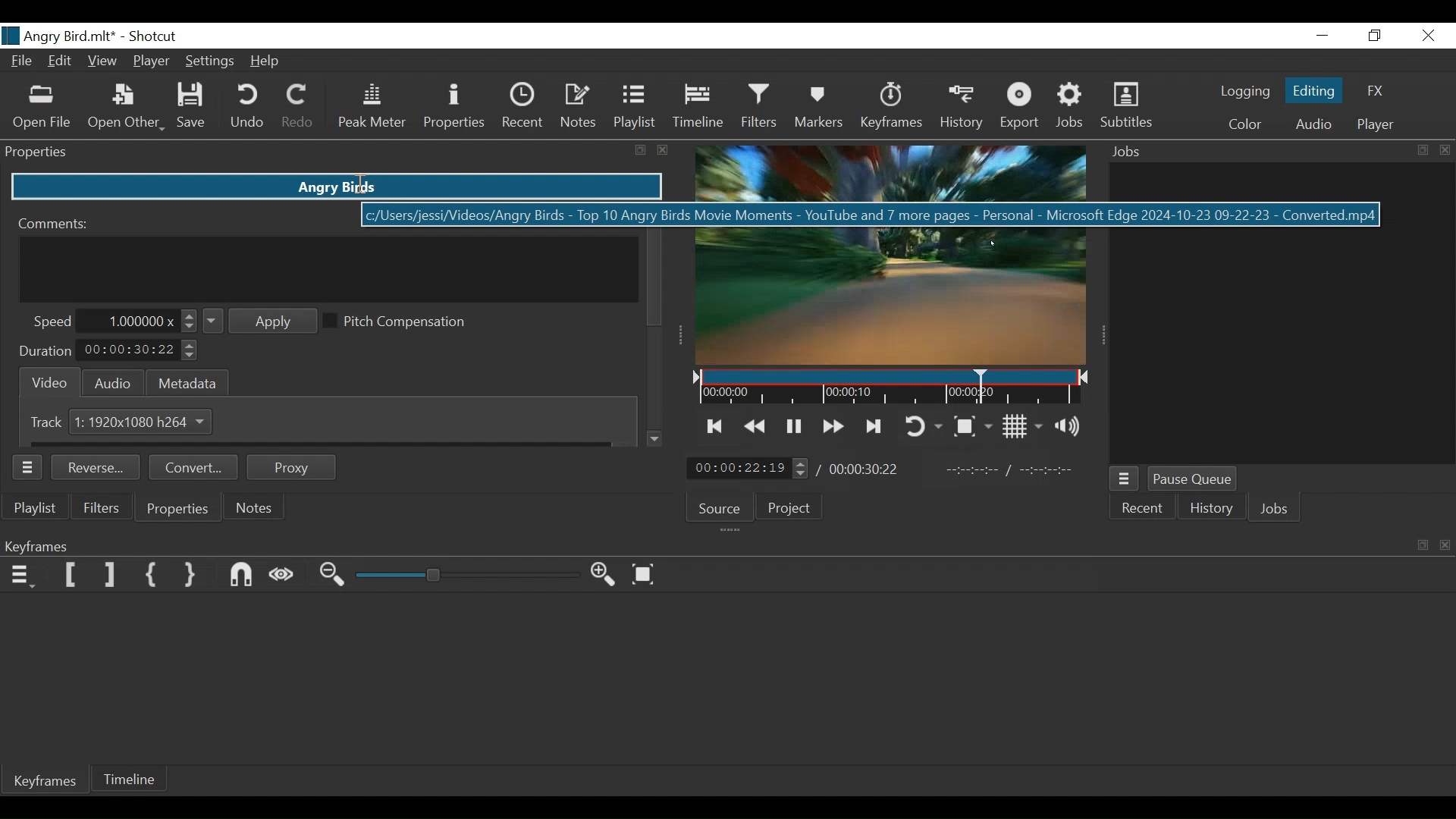 Image resolution: width=1456 pixels, height=819 pixels. I want to click on logging, so click(1239, 93).